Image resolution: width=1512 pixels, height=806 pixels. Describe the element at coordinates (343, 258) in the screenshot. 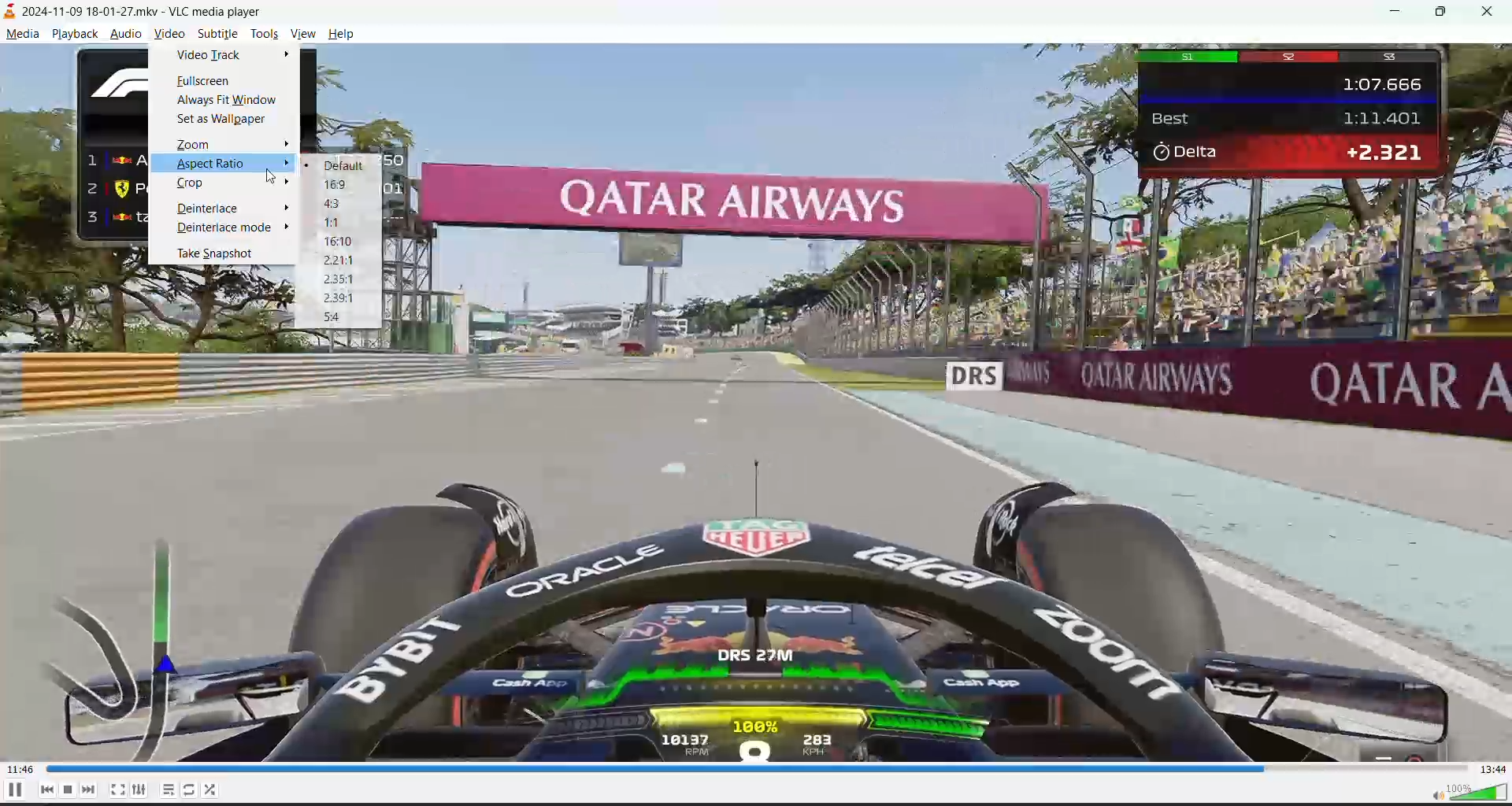

I see `2.21:1` at that location.